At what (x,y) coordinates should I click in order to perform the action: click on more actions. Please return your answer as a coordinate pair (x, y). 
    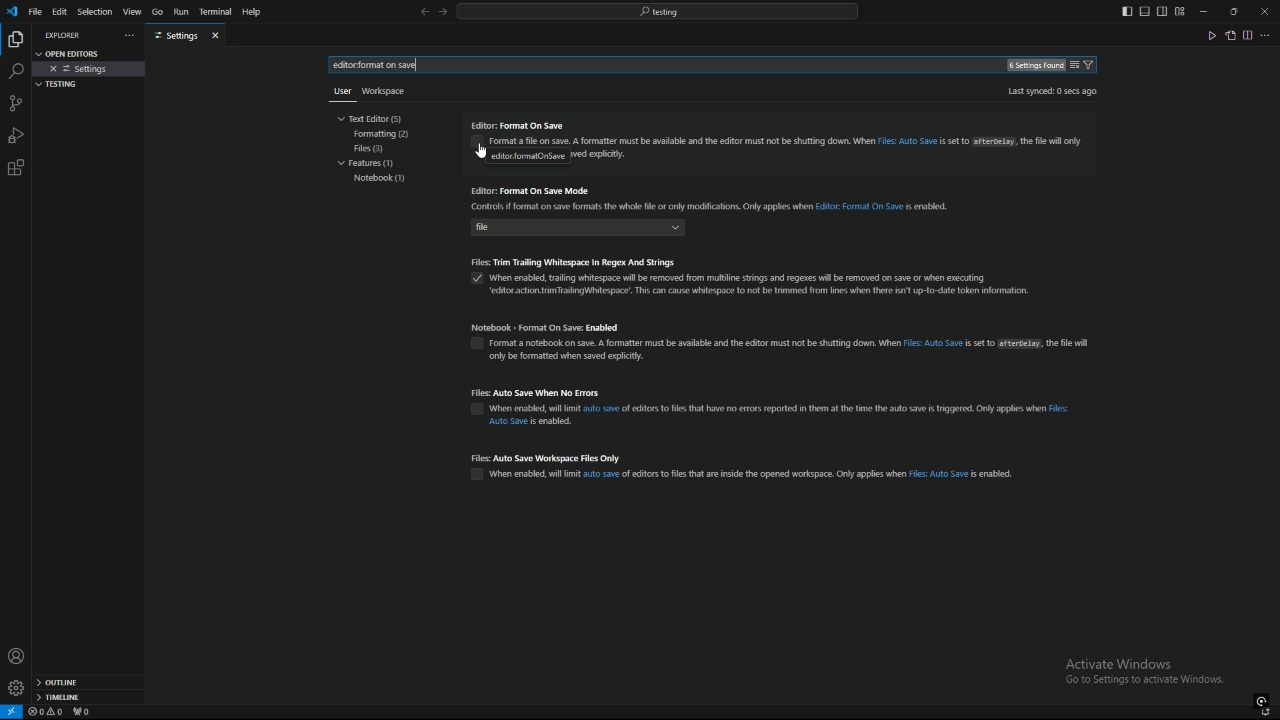
    Looking at the image, I should click on (127, 36).